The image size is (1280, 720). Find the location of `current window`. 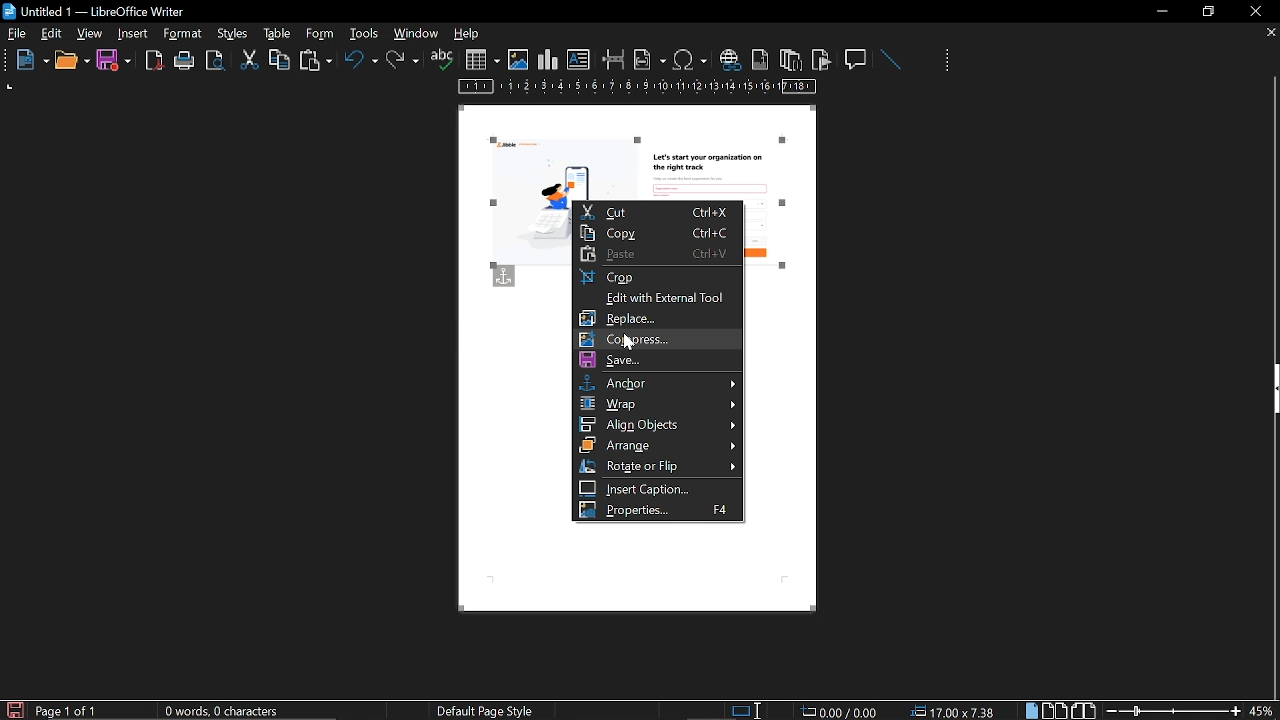

current window is located at coordinates (97, 10).